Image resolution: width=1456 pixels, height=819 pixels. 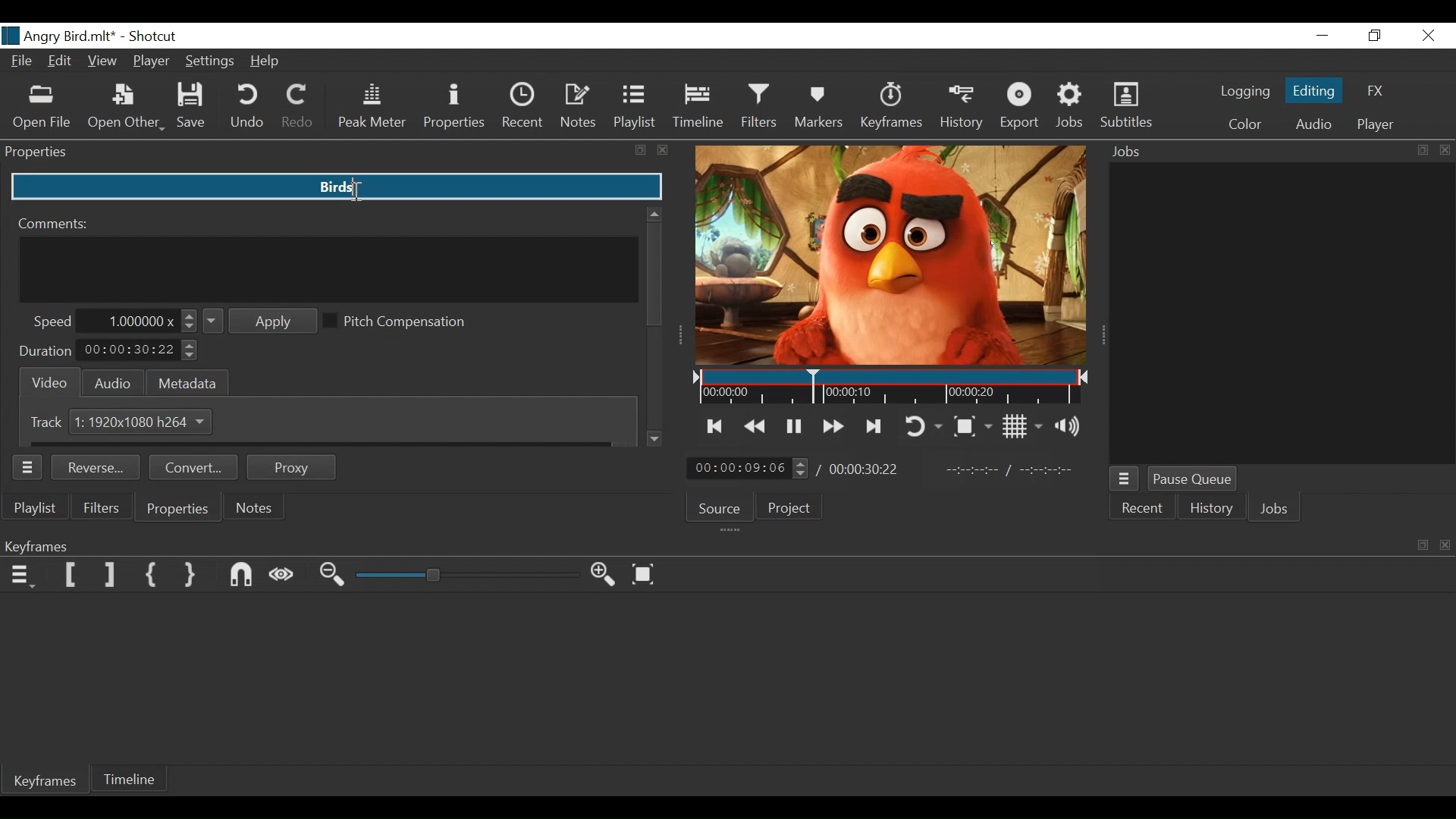 What do you see at coordinates (111, 576) in the screenshot?
I see `Set Filter Last` at bounding box center [111, 576].